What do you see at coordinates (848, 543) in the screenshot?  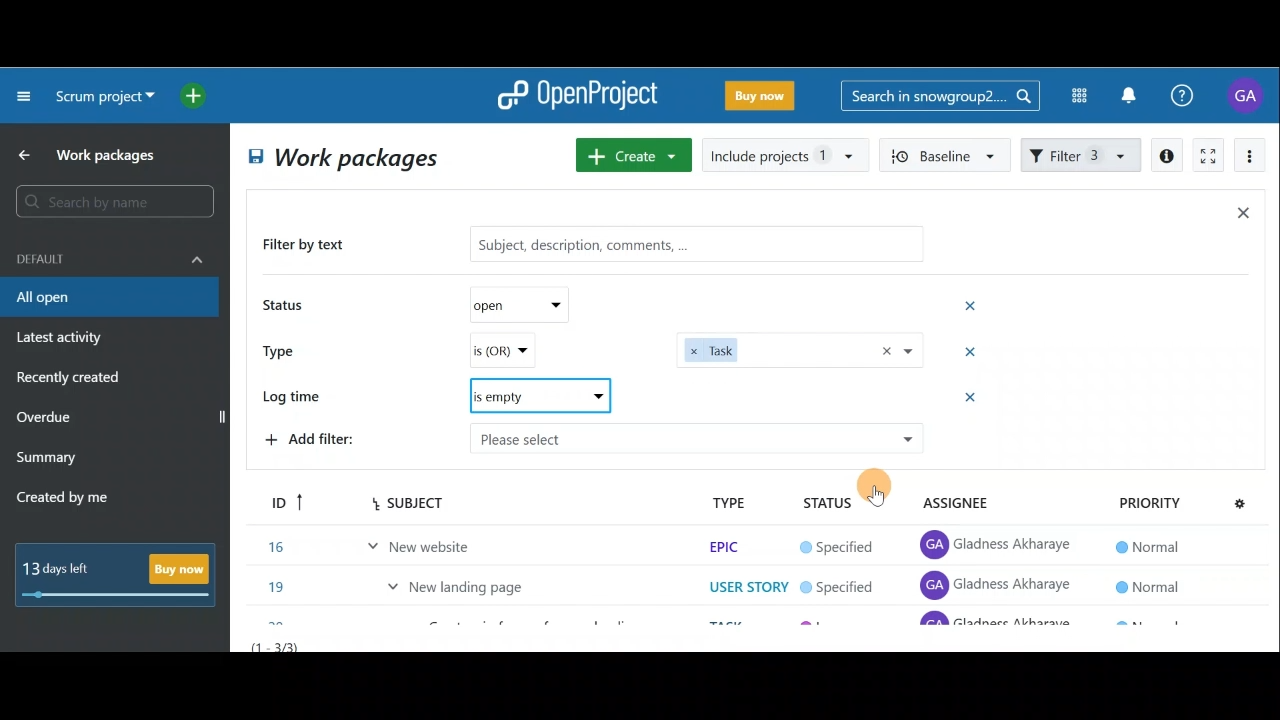 I see `Gladnes:` at bounding box center [848, 543].